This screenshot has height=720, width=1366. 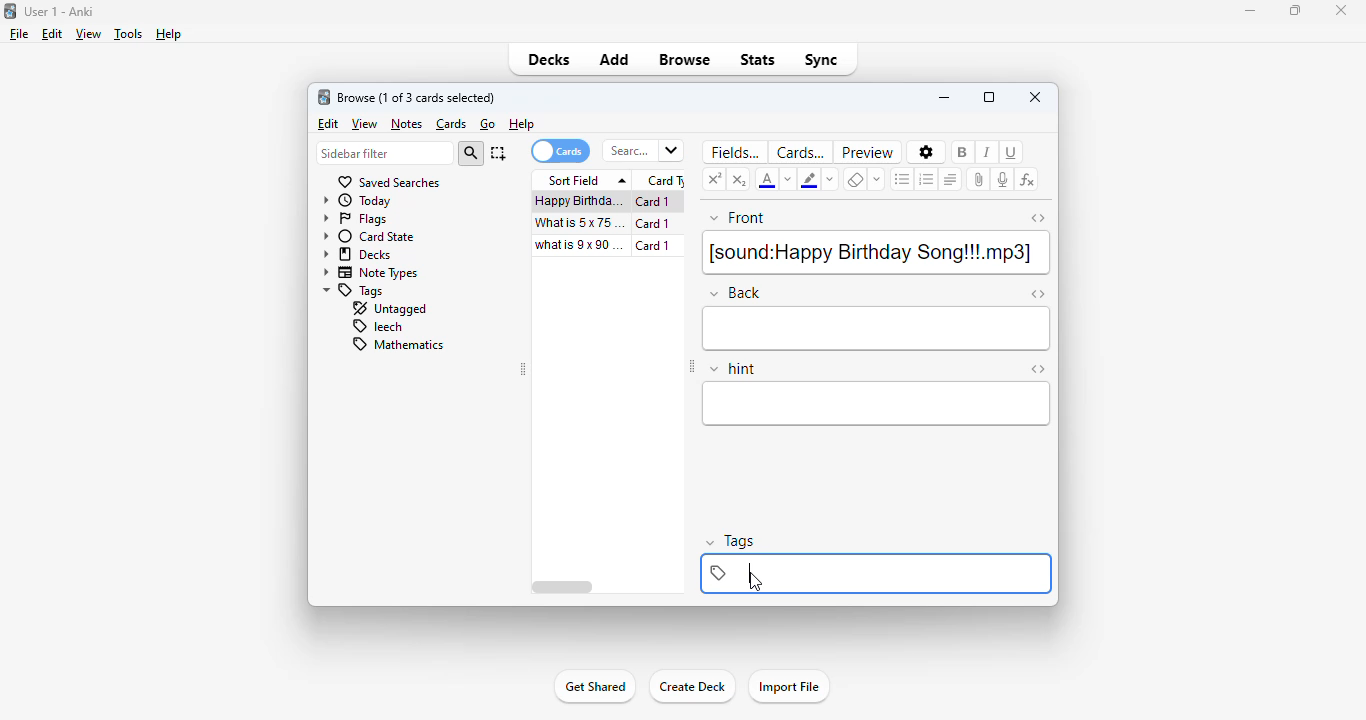 I want to click on User 1- Anki, so click(x=61, y=12).